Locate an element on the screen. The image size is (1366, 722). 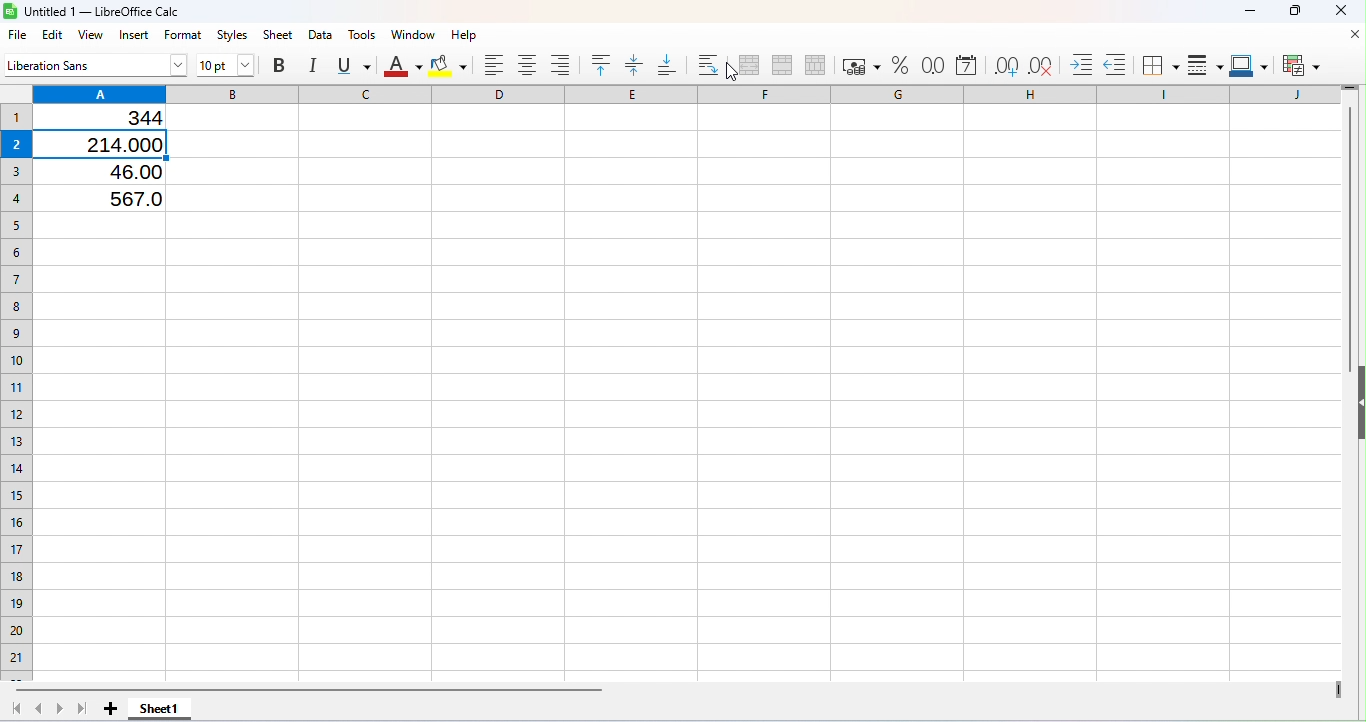
Unmerge cells is located at coordinates (814, 64).